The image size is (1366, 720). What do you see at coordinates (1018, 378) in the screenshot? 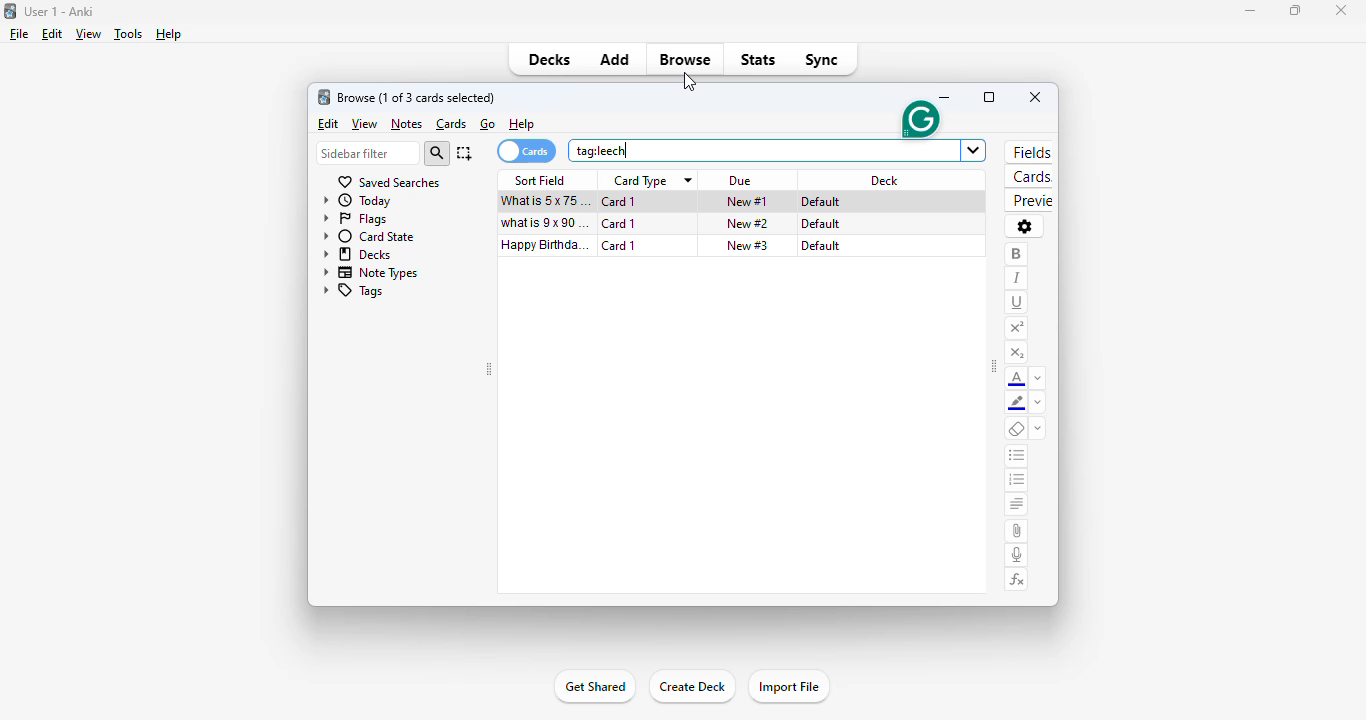
I see `text color` at bounding box center [1018, 378].